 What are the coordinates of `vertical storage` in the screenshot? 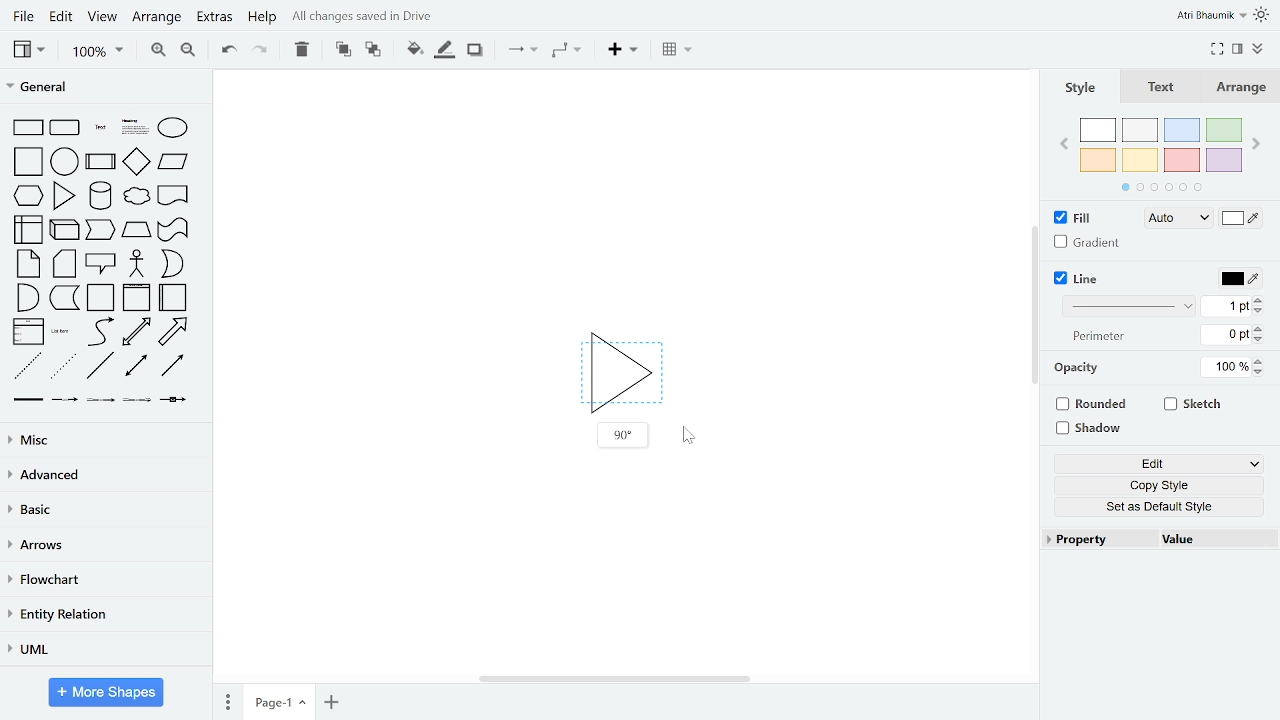 It's located at (136, 298).